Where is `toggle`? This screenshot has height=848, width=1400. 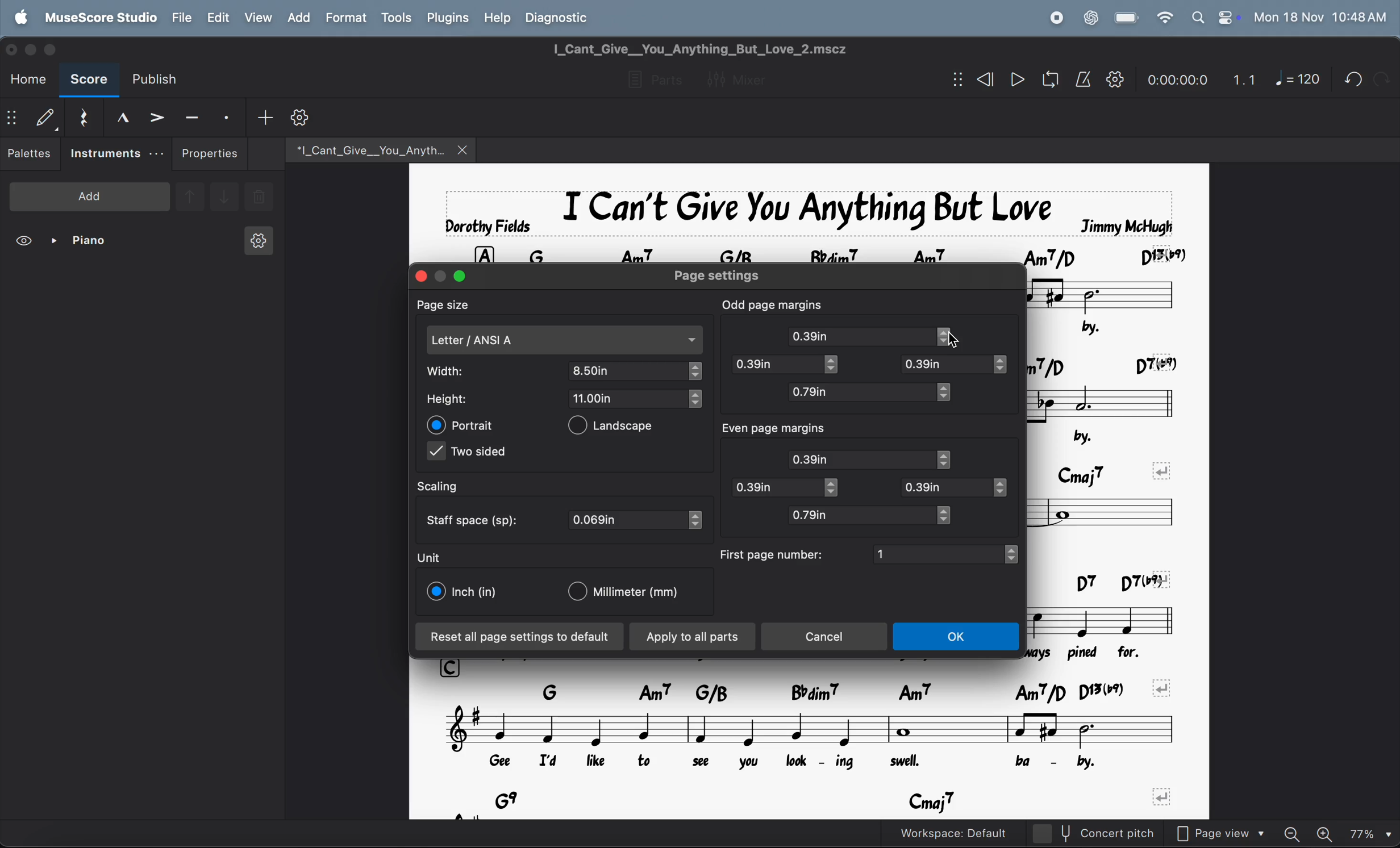
toggle is located at coordinates (1007, 365).